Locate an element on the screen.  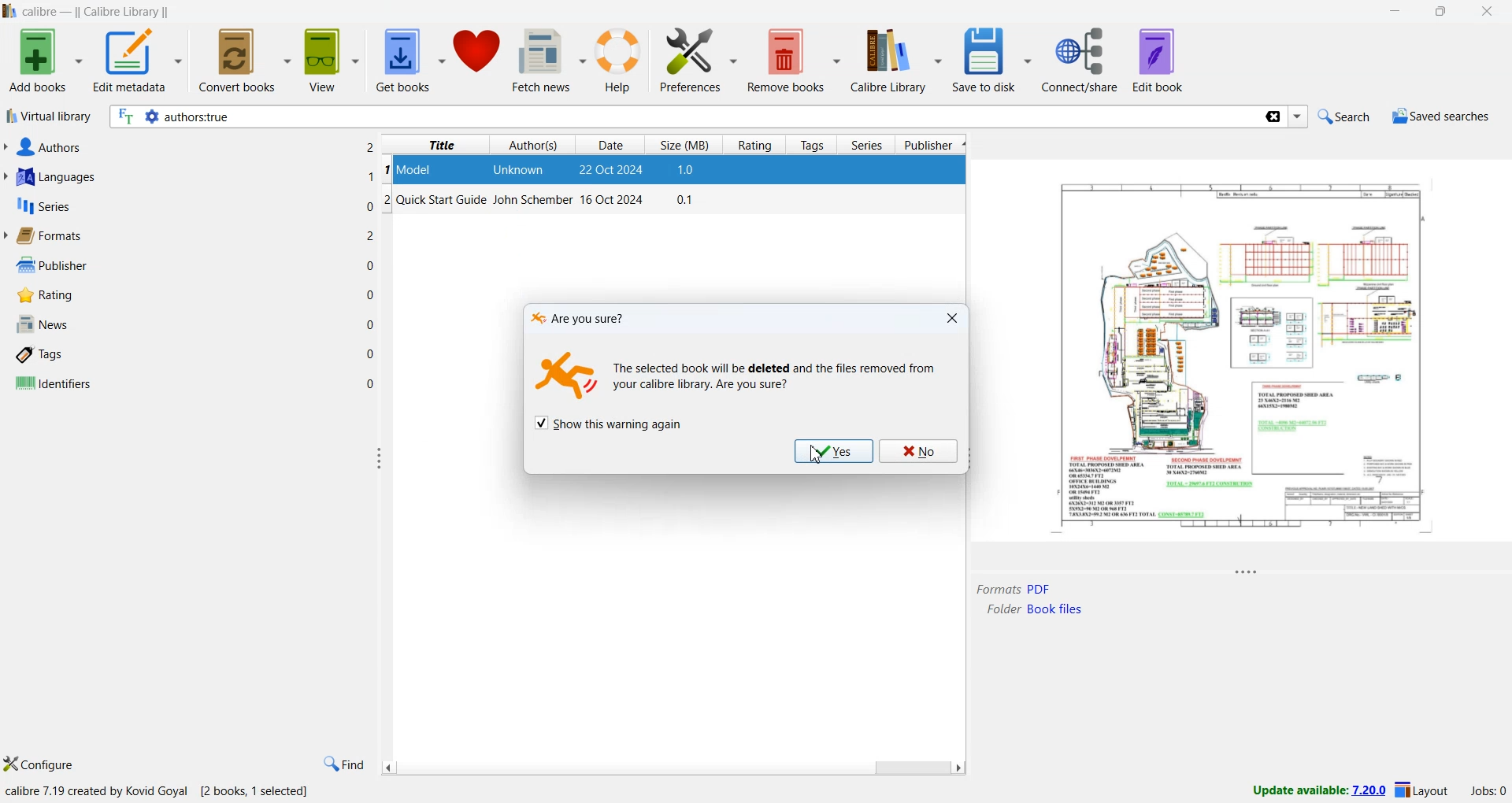
Book Detail Window is located at coordinates (1242, 368).